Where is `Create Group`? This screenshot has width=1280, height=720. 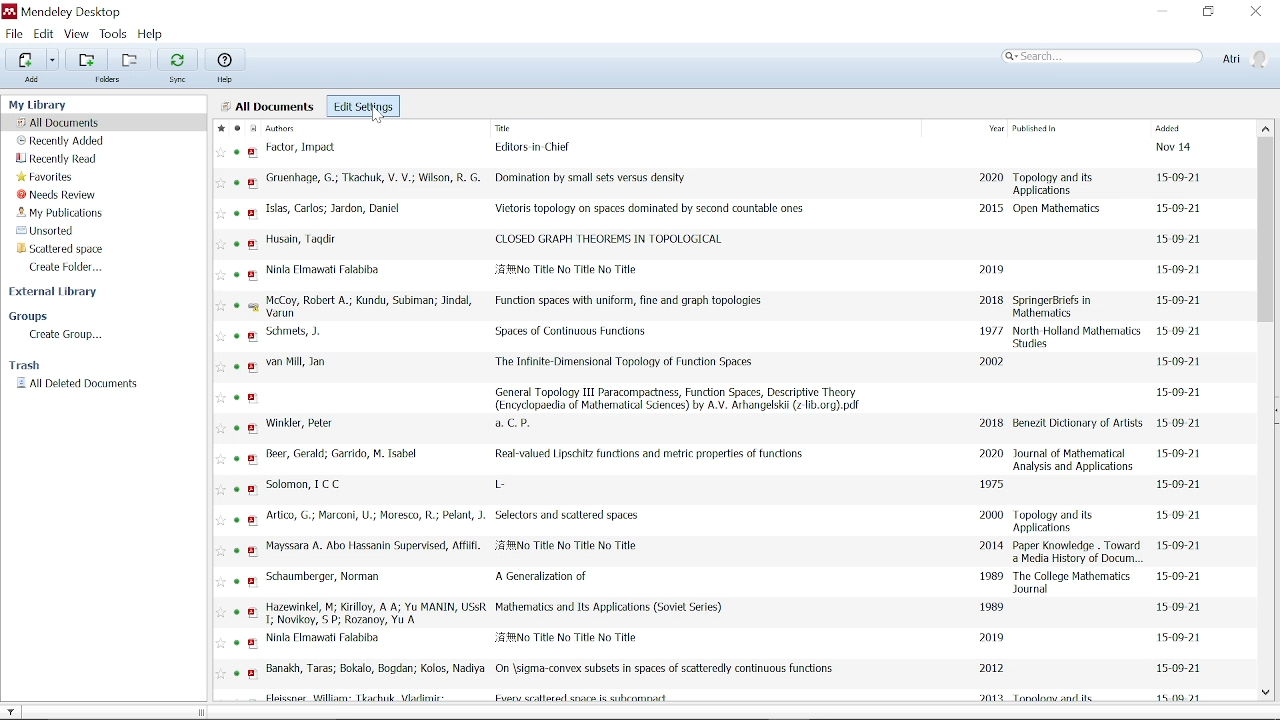
Create Group is located at coordinates (64, 334).